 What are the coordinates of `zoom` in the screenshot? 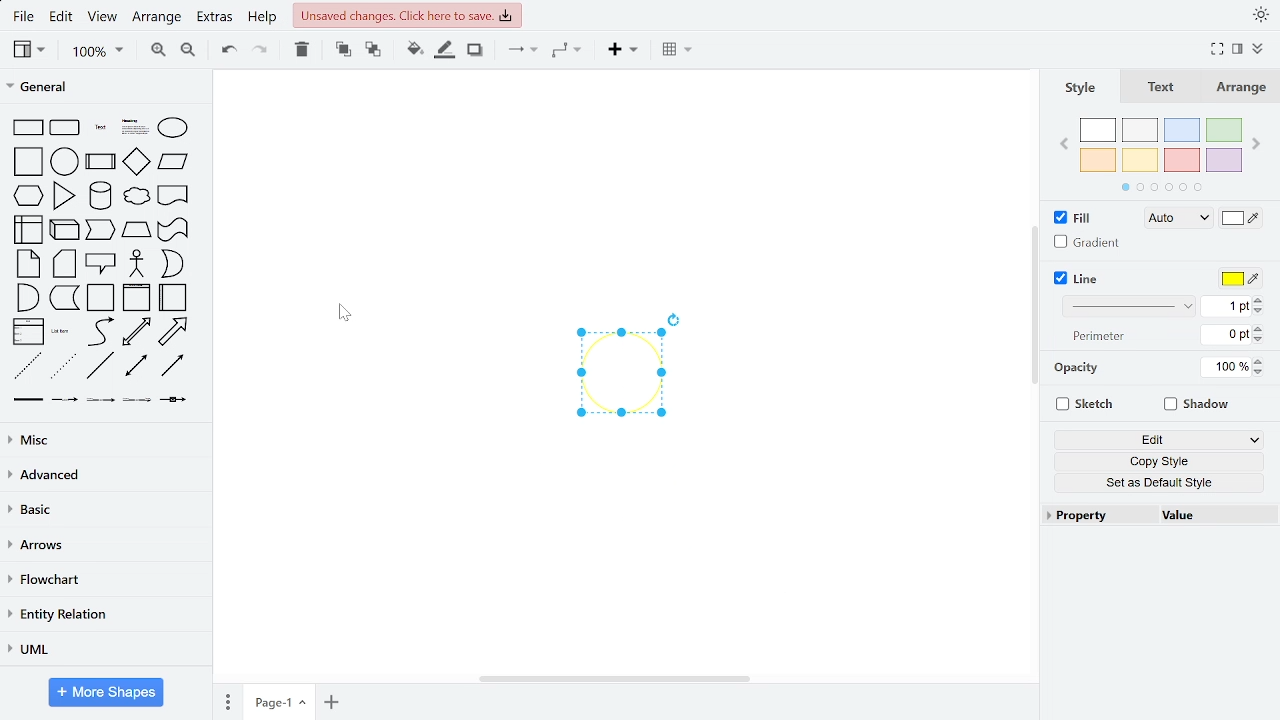 It's located at (94, 51).